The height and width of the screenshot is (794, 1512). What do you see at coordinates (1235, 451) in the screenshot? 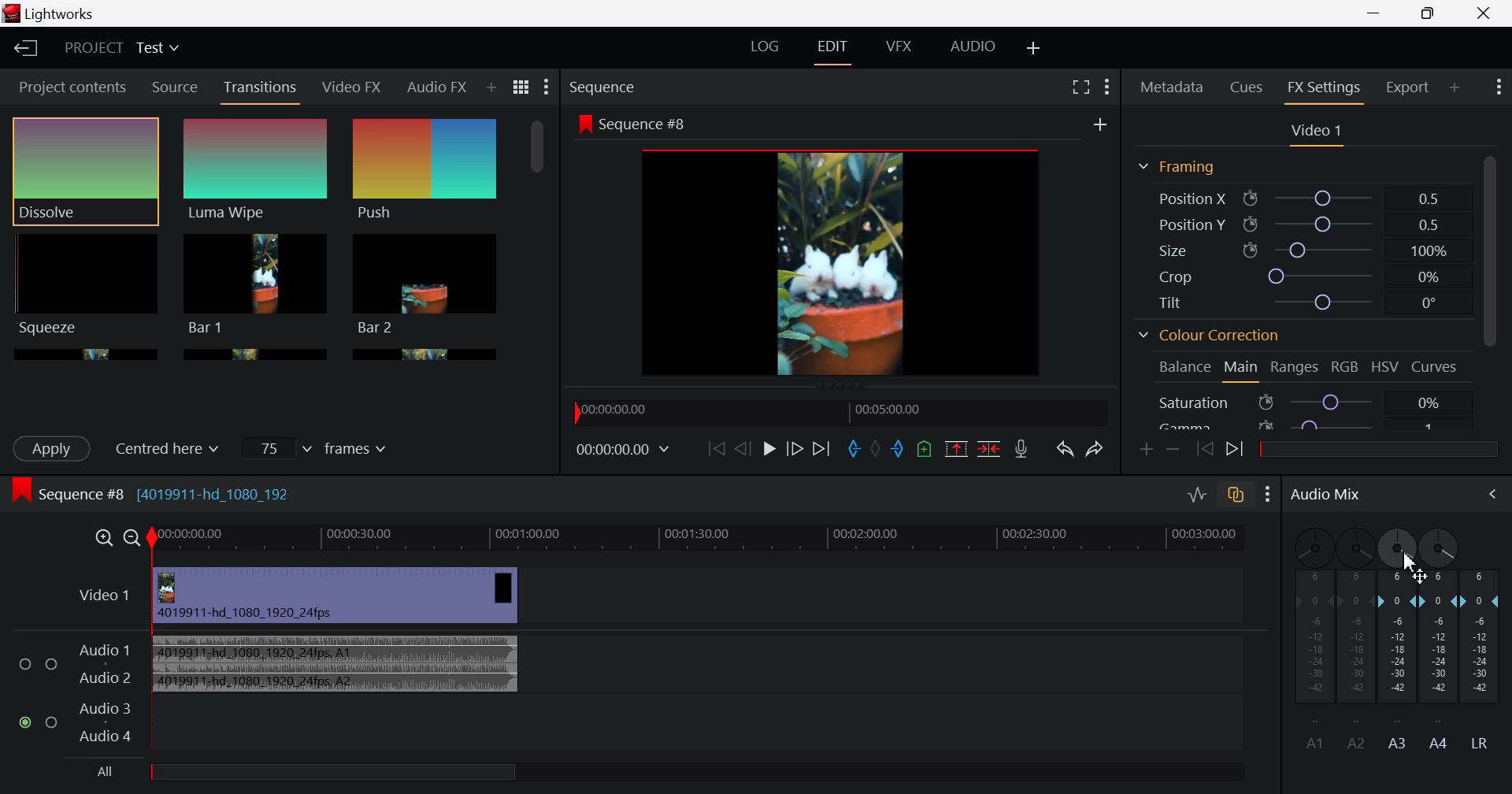
I see `Next keyframe` at bounding box center [1235, 451].